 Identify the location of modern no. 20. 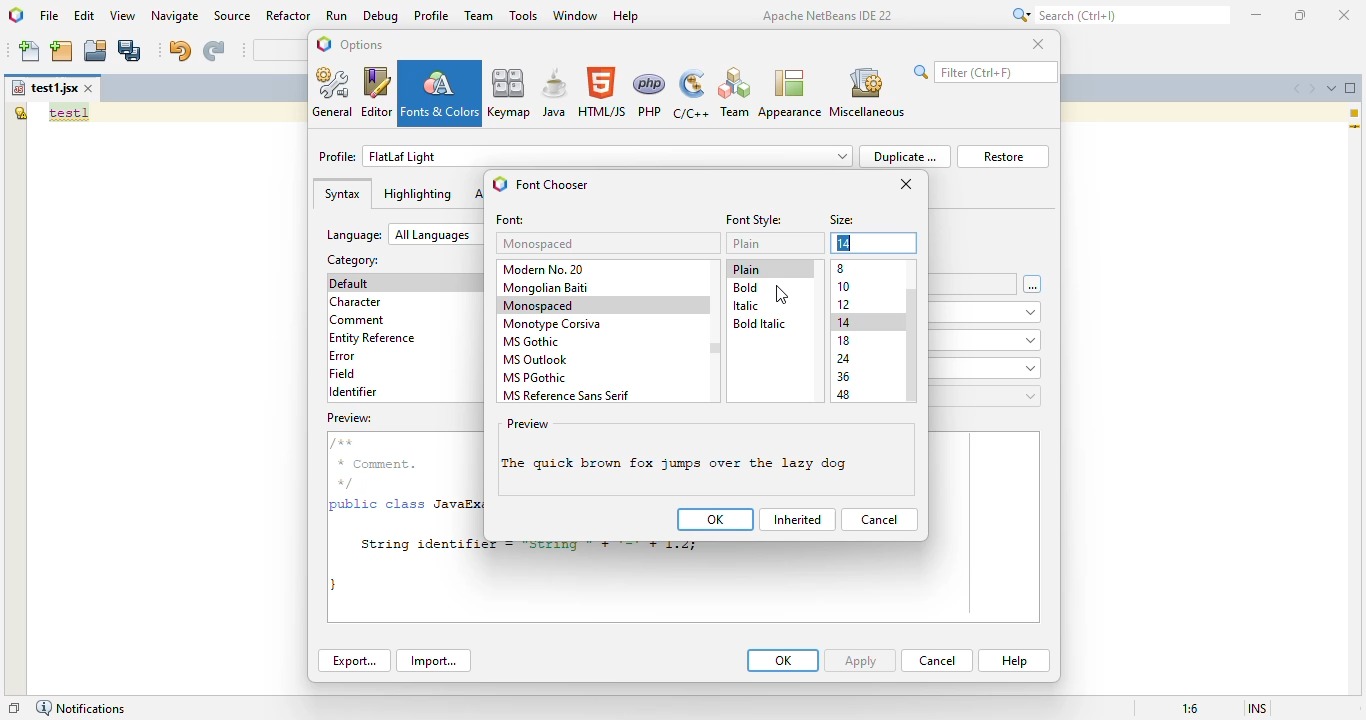
(547, 268).